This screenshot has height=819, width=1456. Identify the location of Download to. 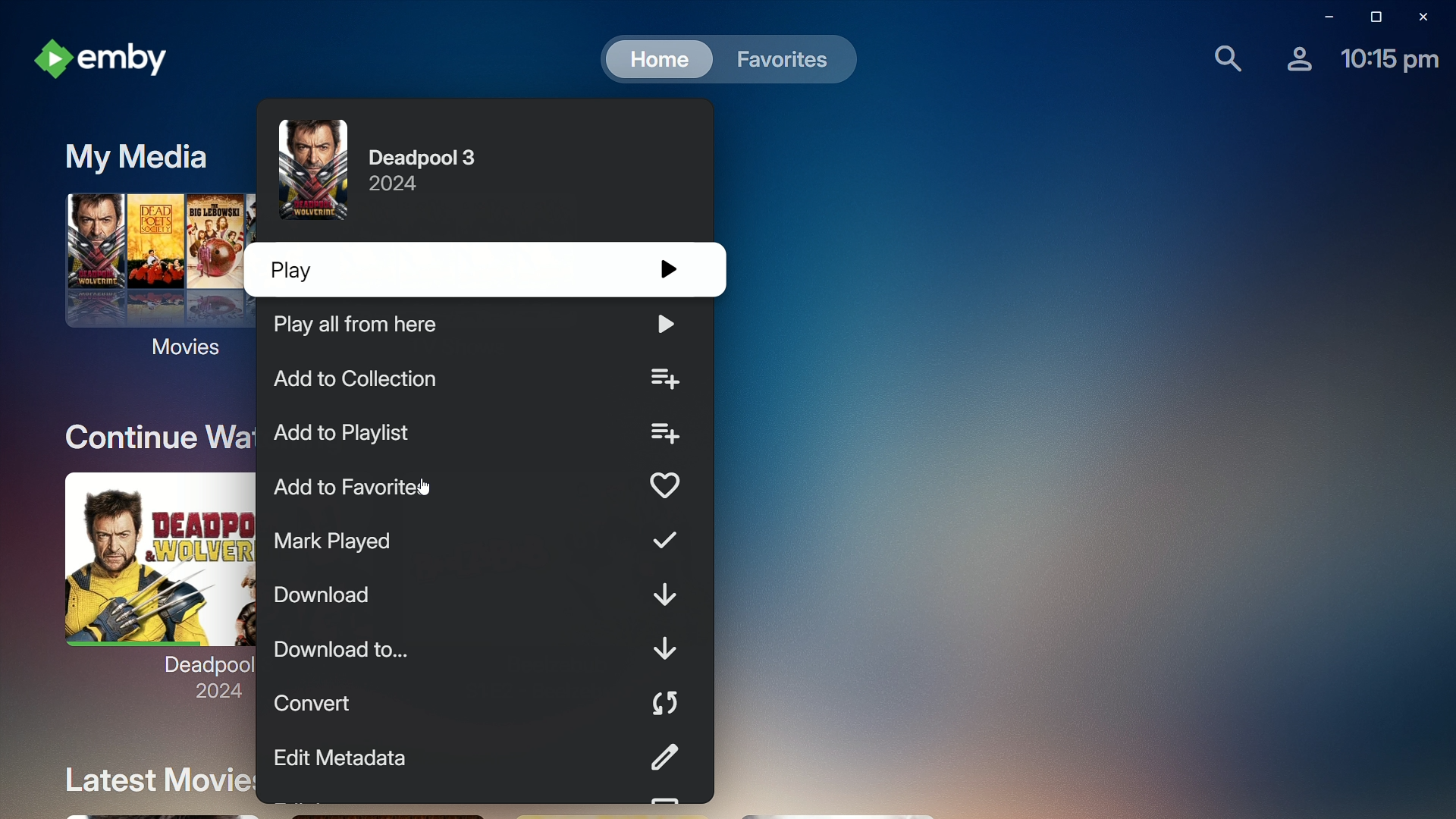
(485, 653).